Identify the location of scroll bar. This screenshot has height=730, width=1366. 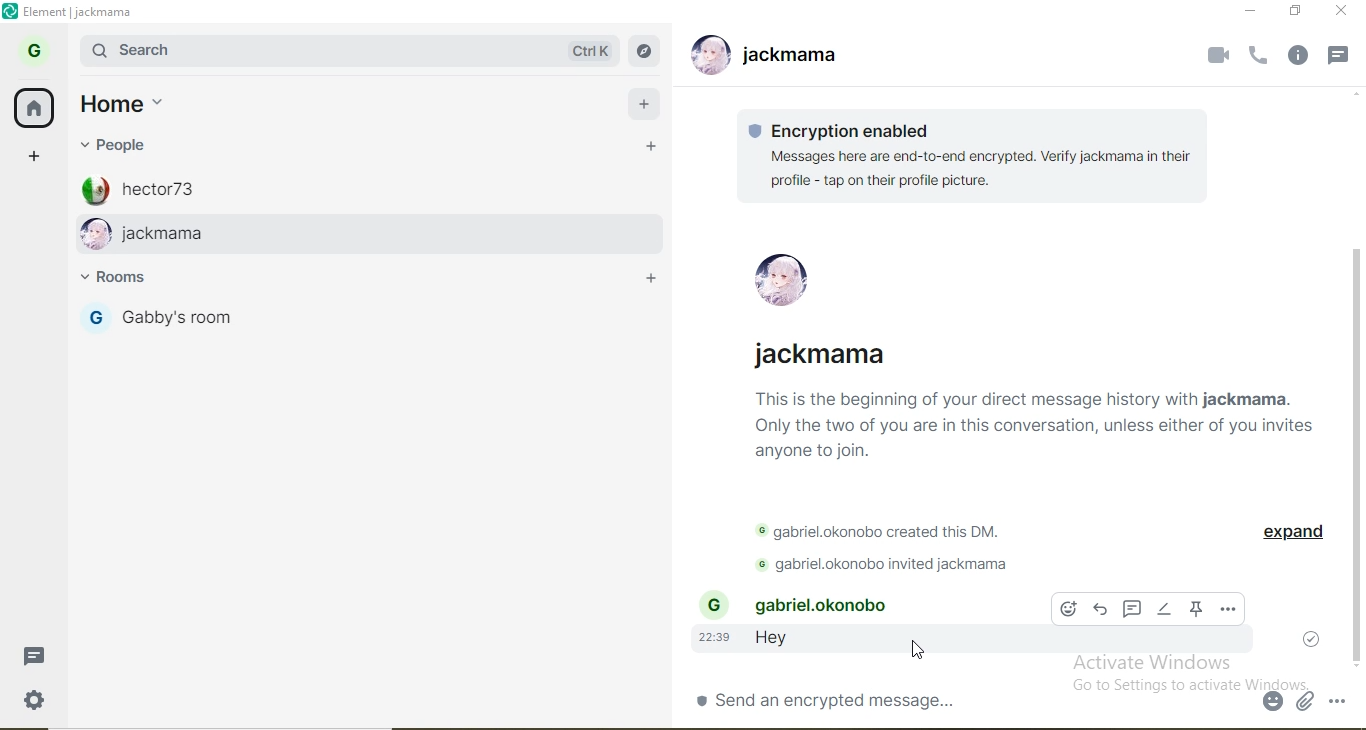
(1357, 456).